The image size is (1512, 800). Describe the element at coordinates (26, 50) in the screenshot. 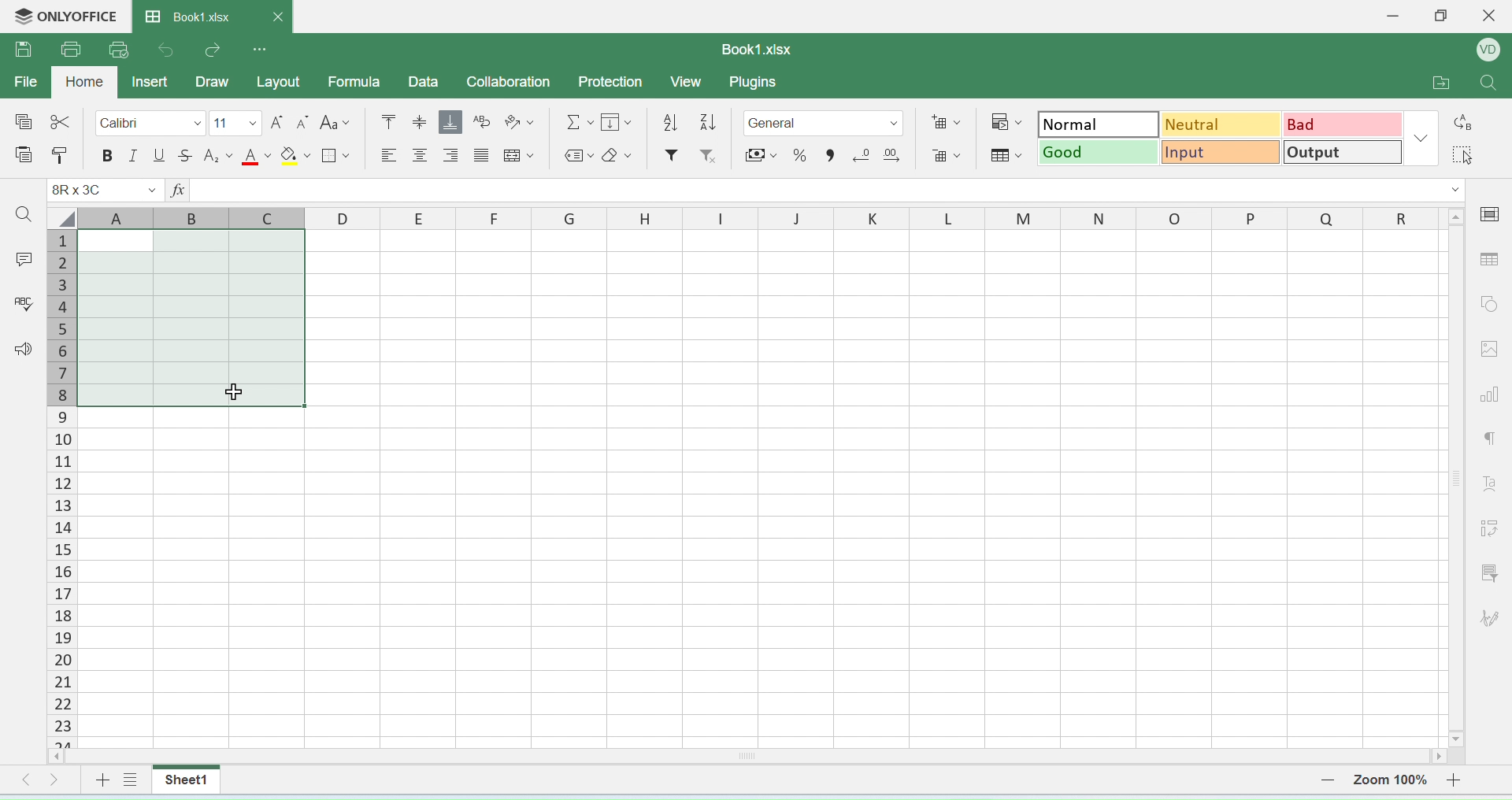

I see `save` at that location.